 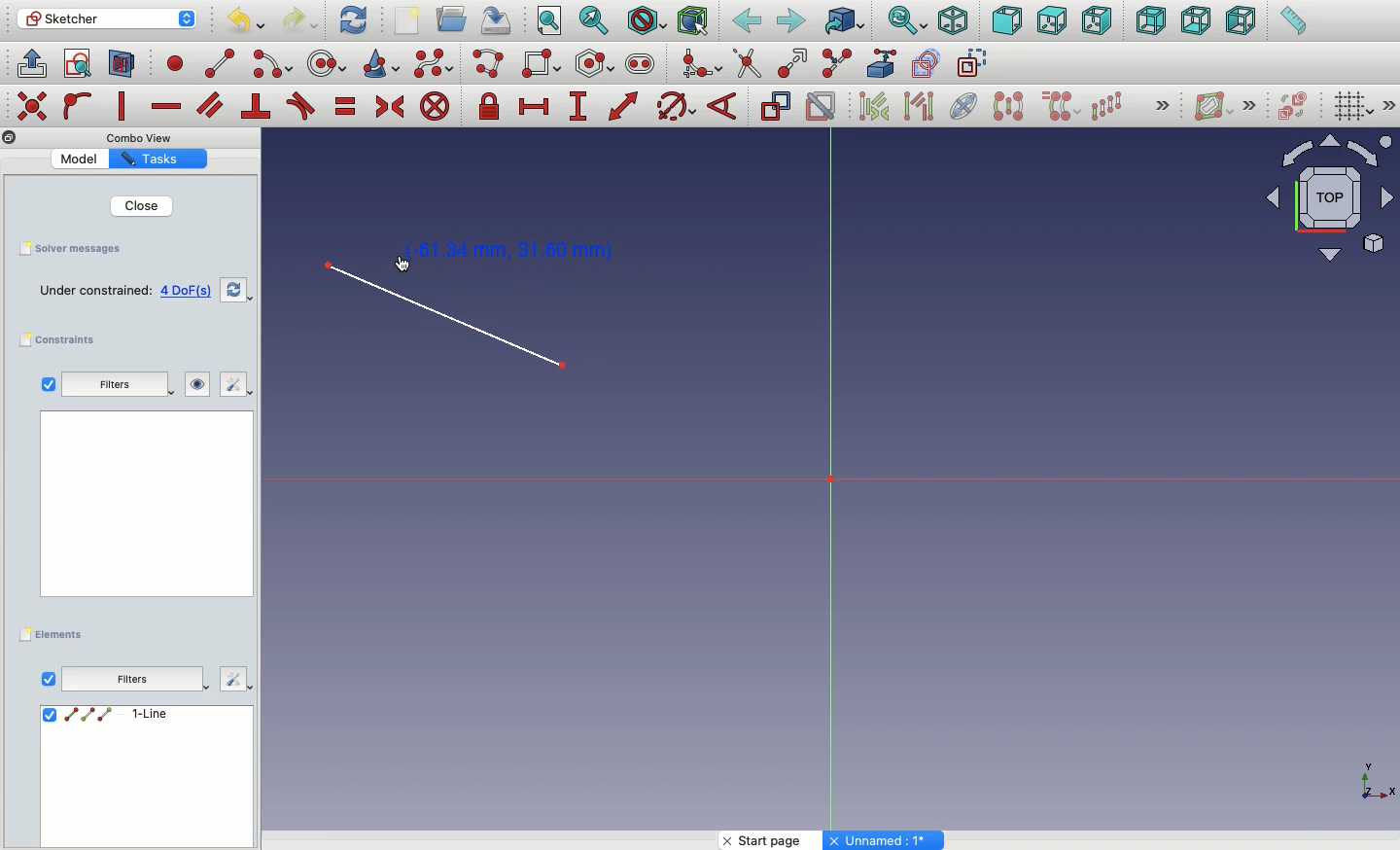 I want to click on Associated constraints, so click(x=877, y=106).